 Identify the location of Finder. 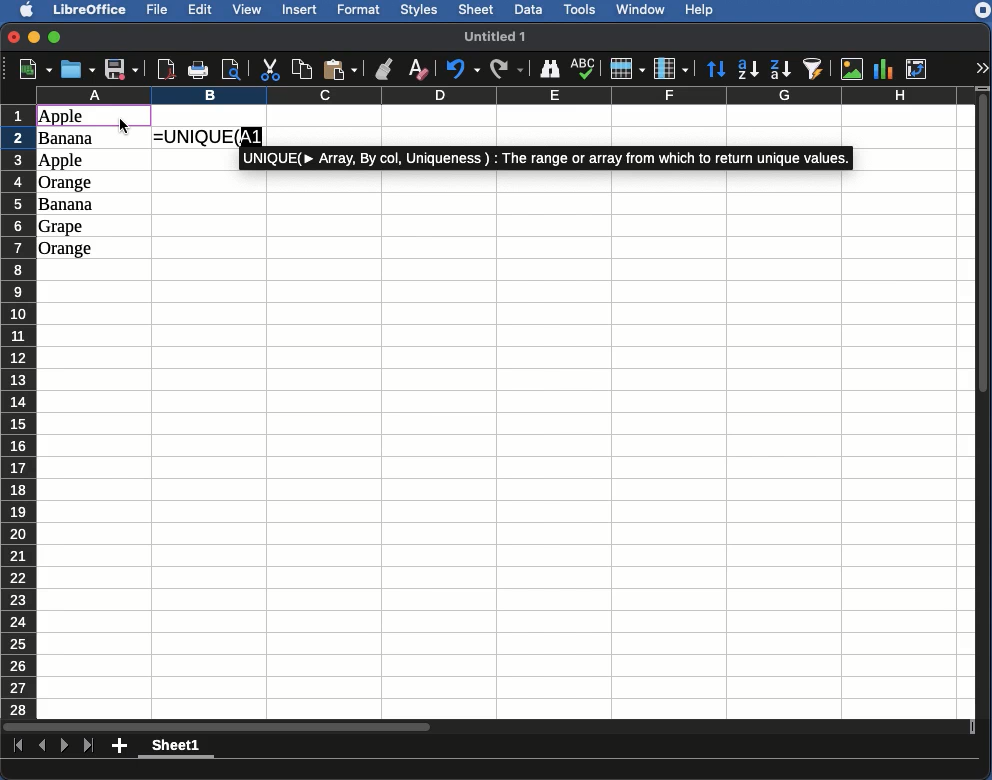
(551, 70).